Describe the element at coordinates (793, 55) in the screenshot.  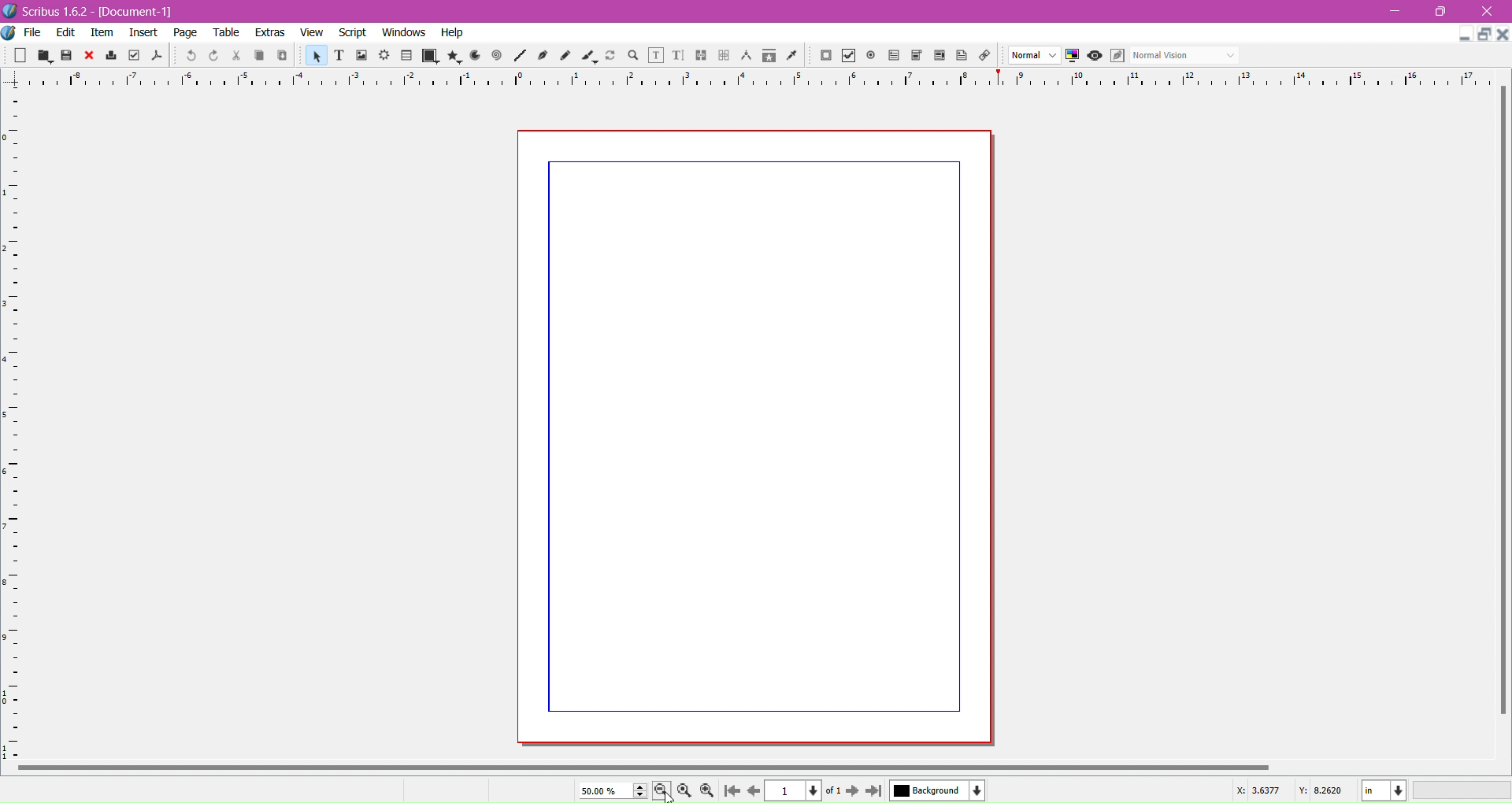
I see `Eye Dropper` at that location.